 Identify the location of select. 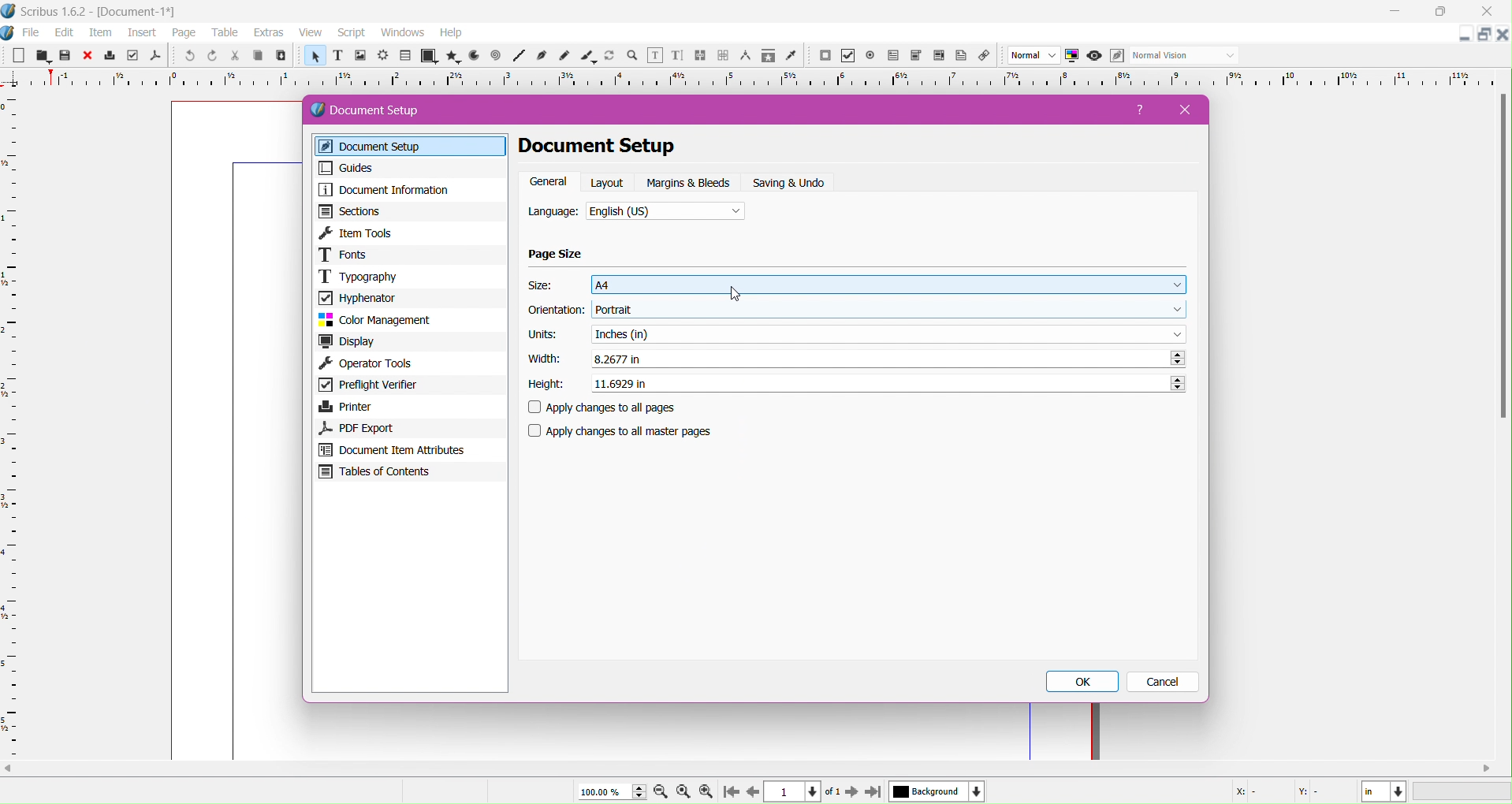
(313, 58).